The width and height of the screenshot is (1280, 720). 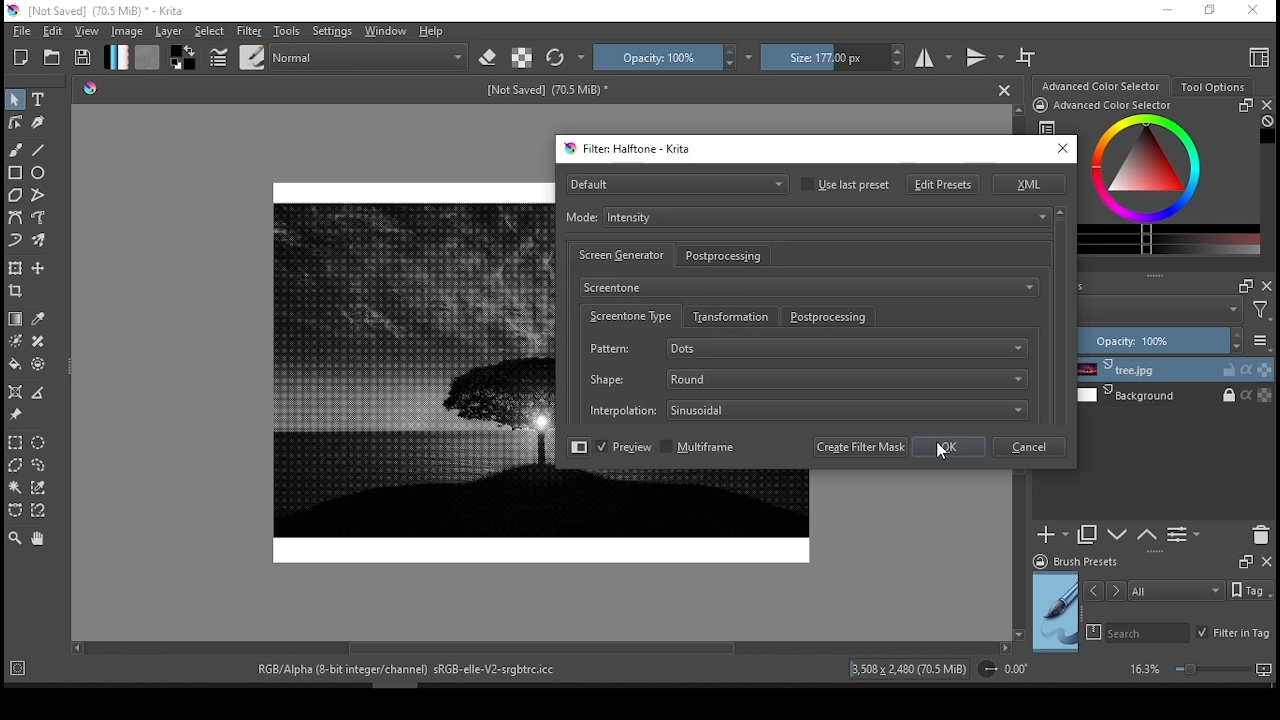 What do you see at coordinates (403, 371) in the screenshot?
I see `image` at bounding box center [403, 371].